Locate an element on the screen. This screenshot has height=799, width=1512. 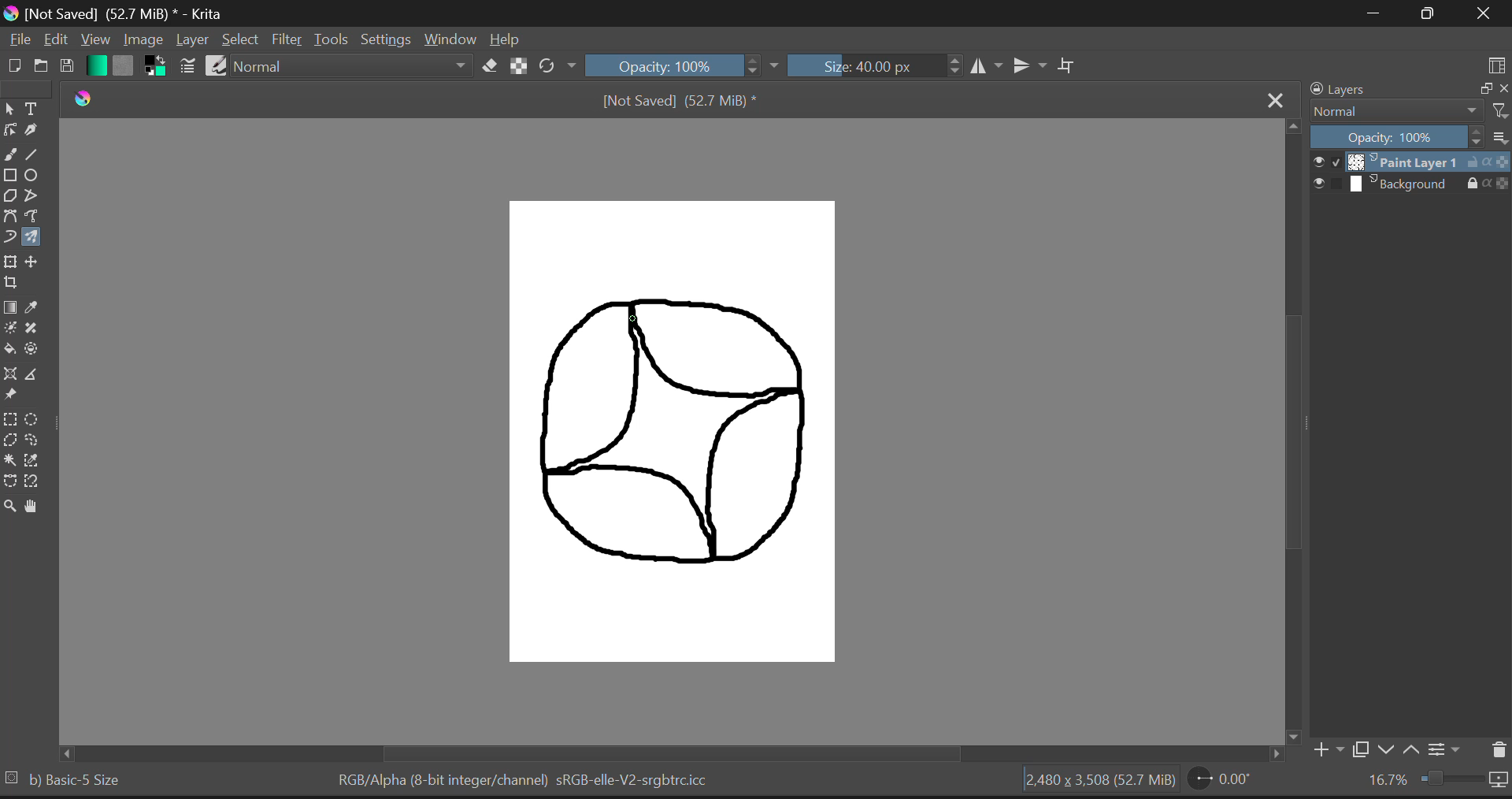
0.00 is located at coordinates (1222, 782).